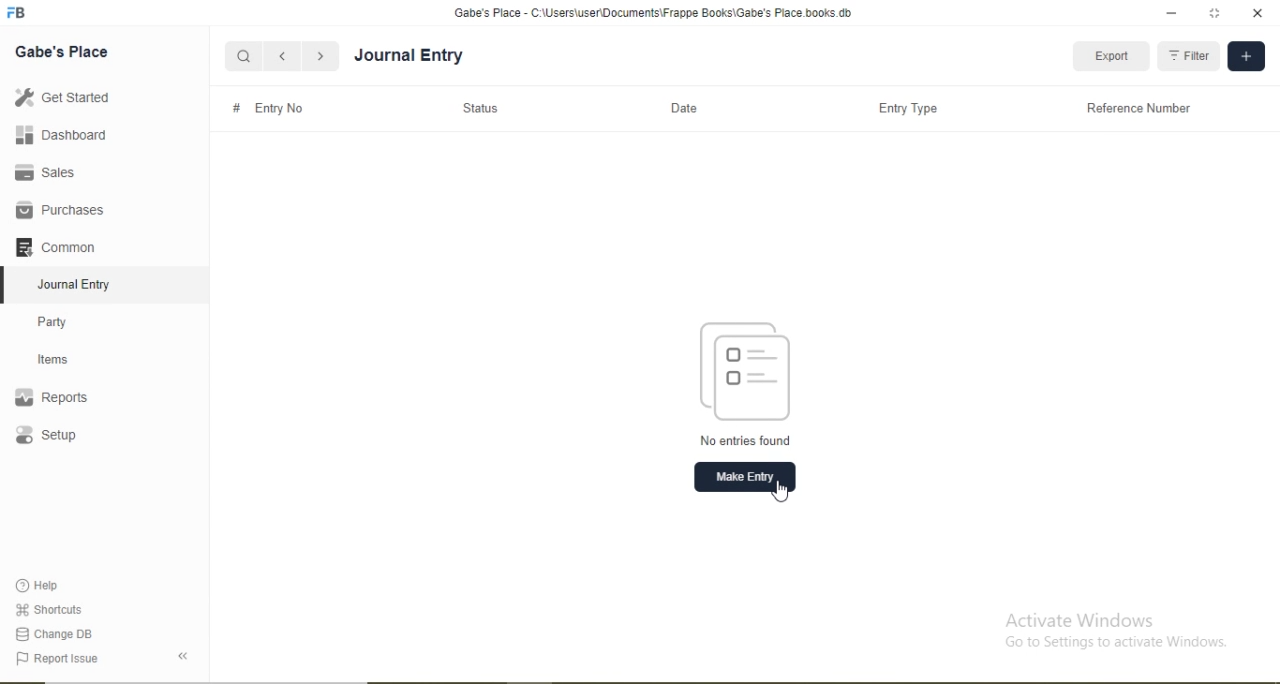 Image resolution: width=1280 pixels, height=684 pixels. What do you see at coordinates (1191, 56) in the screenshot?
I see `Filter` at bounding box center [1191, 56].